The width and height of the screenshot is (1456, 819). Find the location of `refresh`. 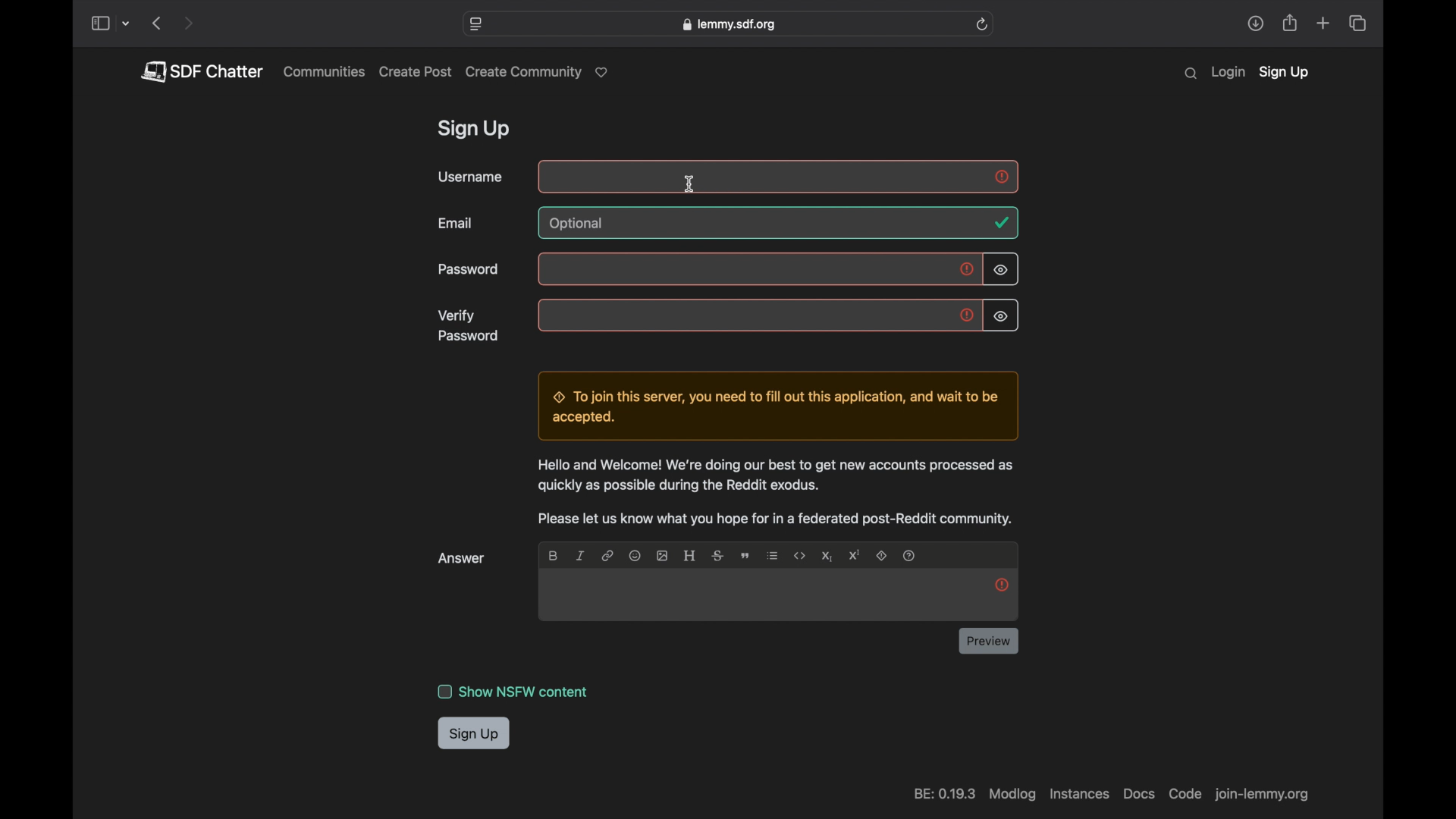

refresh is located at coordinates (982, 24).